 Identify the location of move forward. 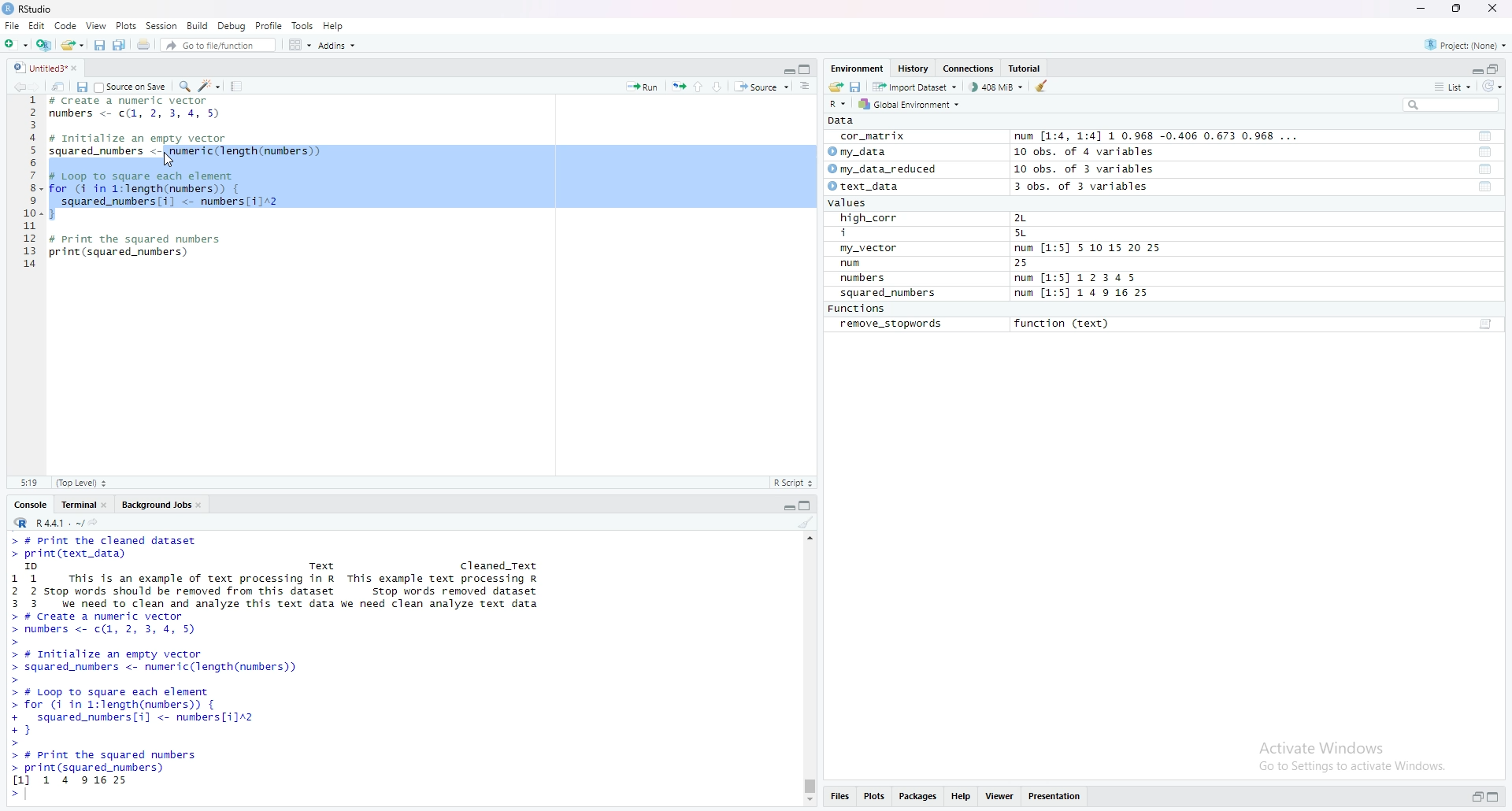
(39, 85).